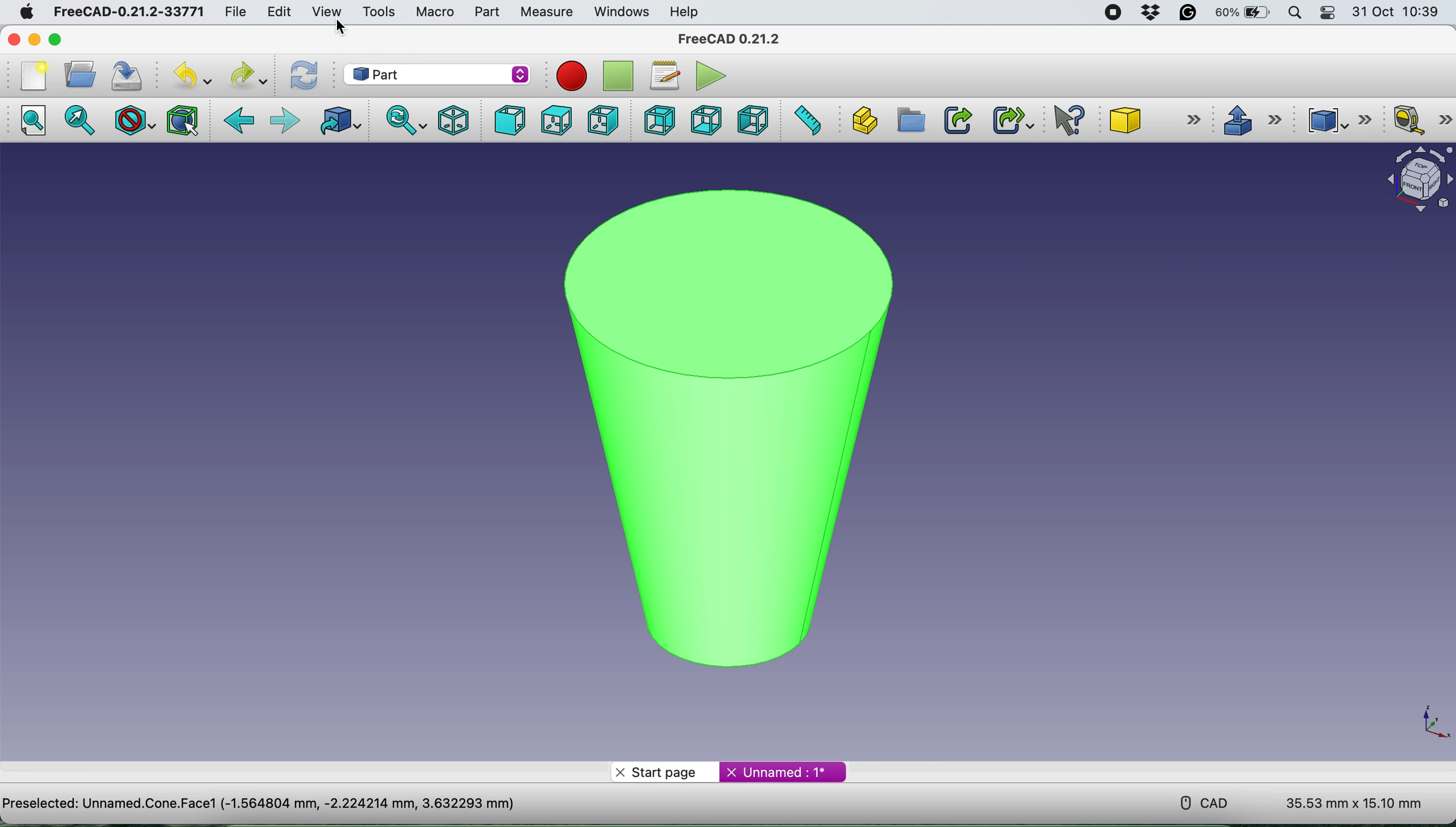  I want to click on step recording macros, so click(618, 77).